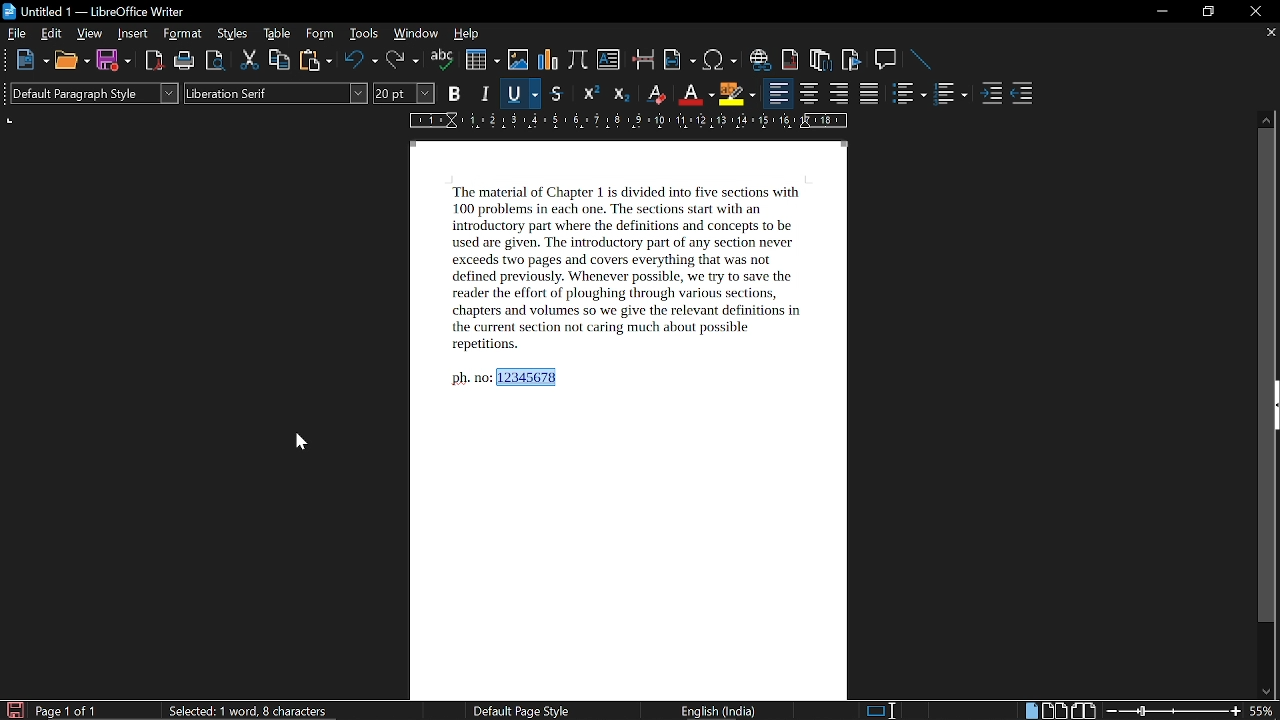 This screenshot has width=1280, height=720. Describe the element at coordinates (1270, 33) in the screenshot. I see `close current tab` at that location.